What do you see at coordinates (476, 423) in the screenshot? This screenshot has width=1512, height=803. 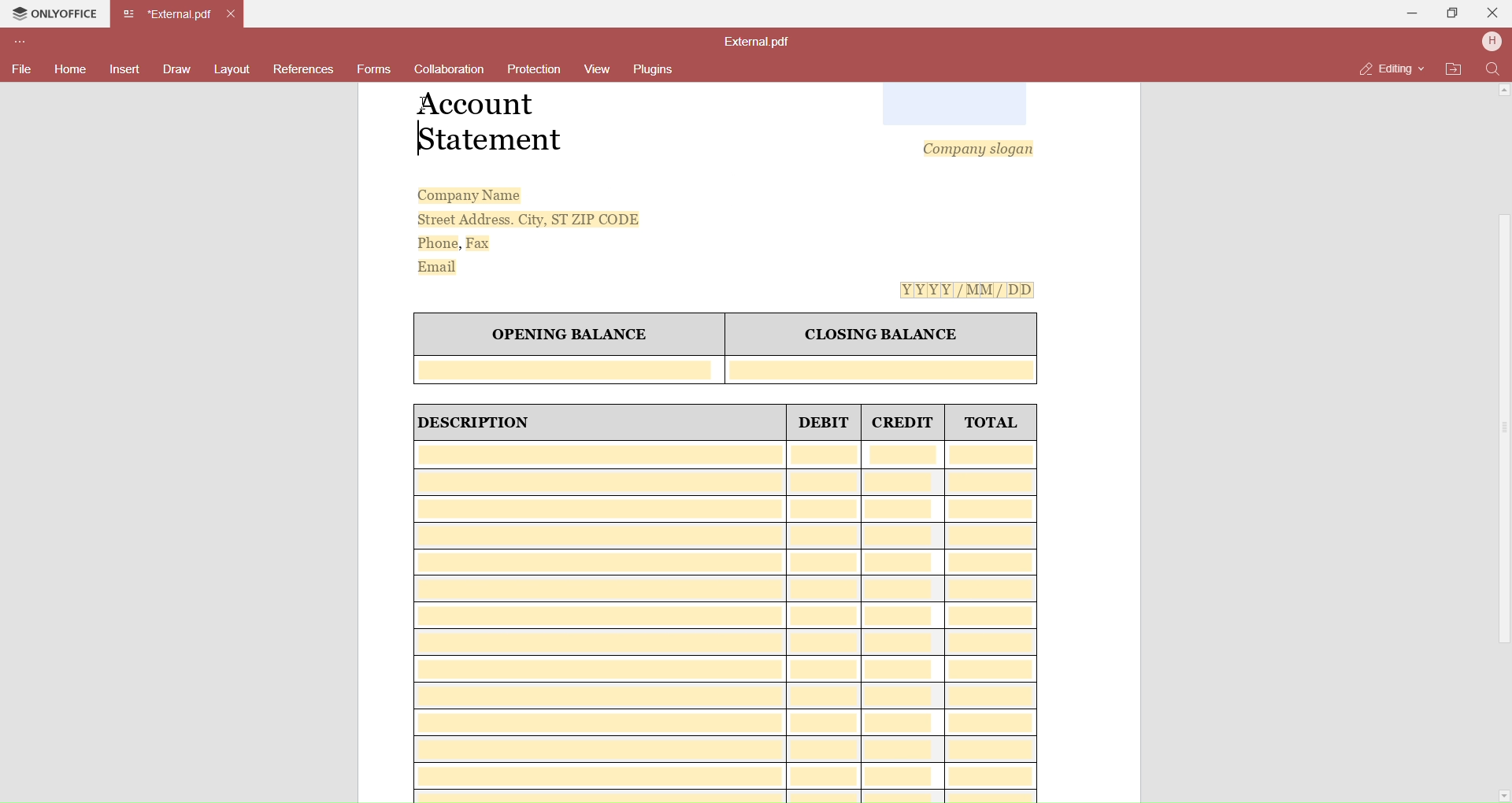 I see `| DESCRIPTION` at bounding box center [476, 423].